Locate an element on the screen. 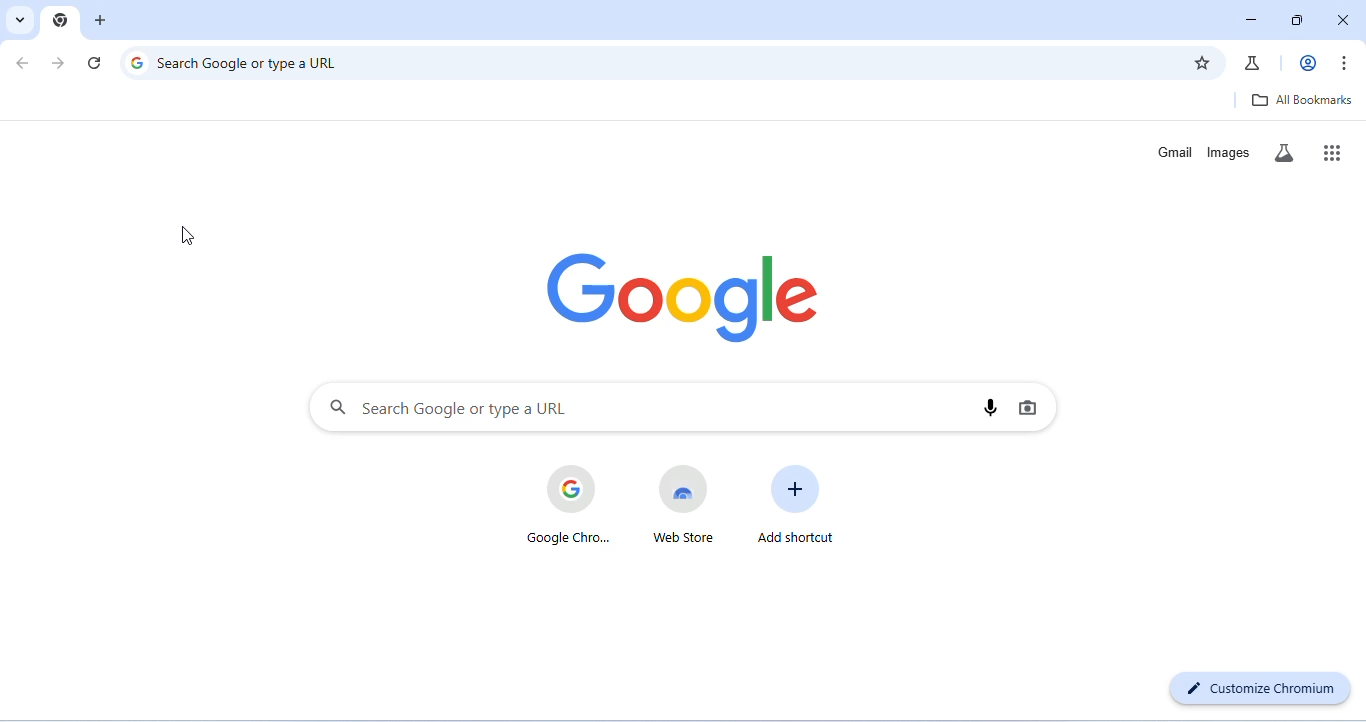 The image size is (1366, 722). web store is located at coordinates (682, 505).